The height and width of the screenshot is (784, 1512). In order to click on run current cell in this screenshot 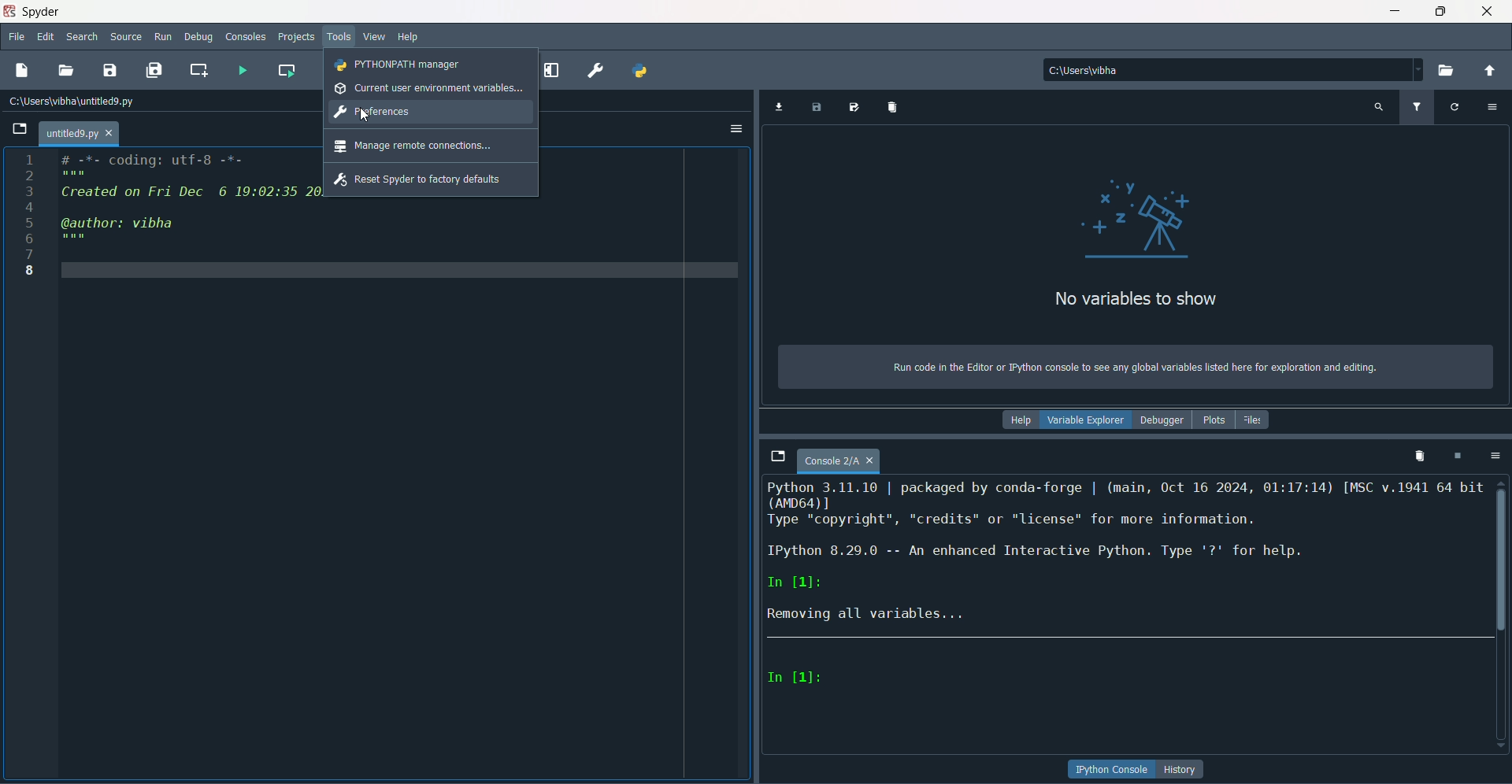, I will do `click(287, 68)`.